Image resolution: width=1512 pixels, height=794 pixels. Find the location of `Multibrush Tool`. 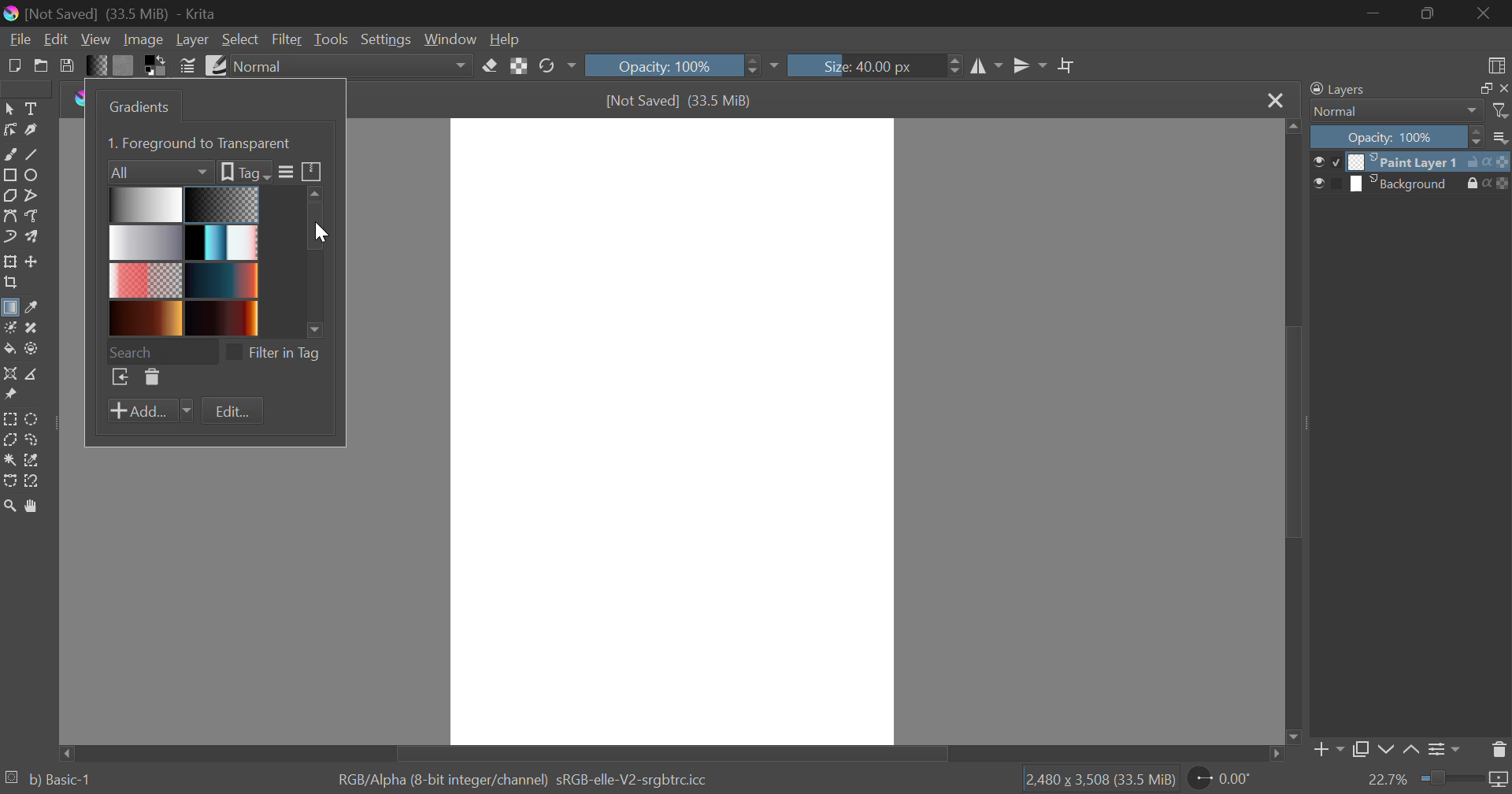

Multibrush Tool is located at coordinates (31, 238).